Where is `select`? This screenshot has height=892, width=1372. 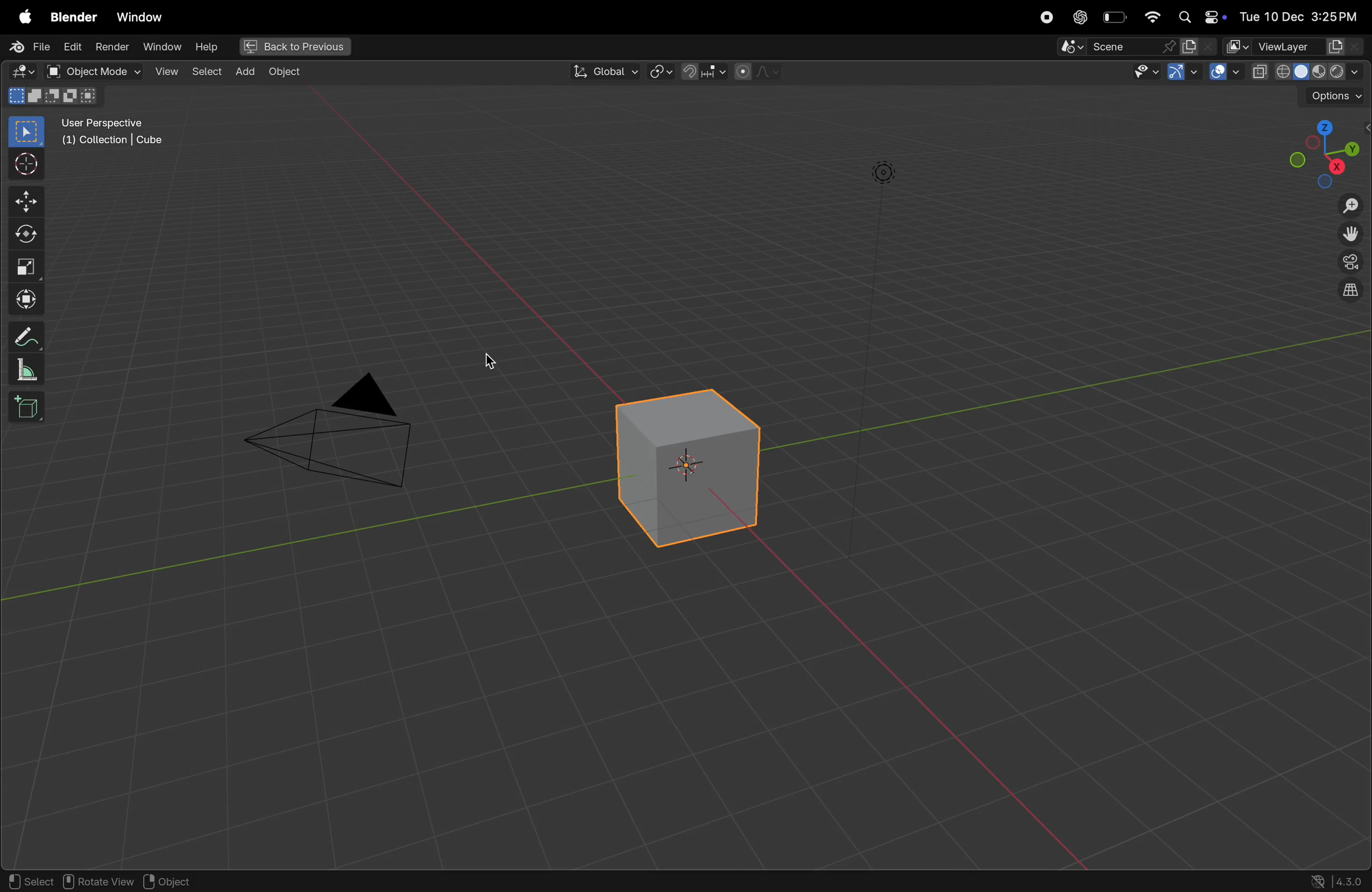
select is located at coordinates (29, 878).